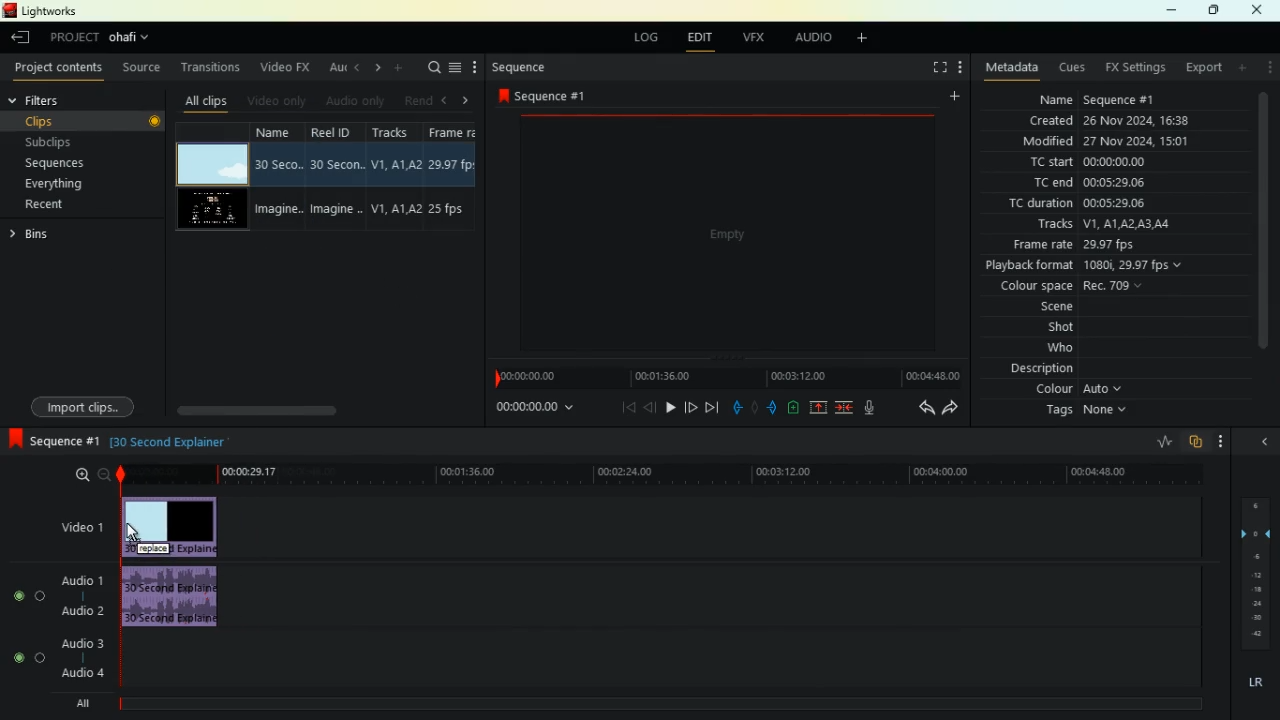 The height and width of the screenshot is (720, 1280). Describe the element at coordinates (1118, 119) in the screenshot. I see `created 26 Nov 2024 16:38` at that location.